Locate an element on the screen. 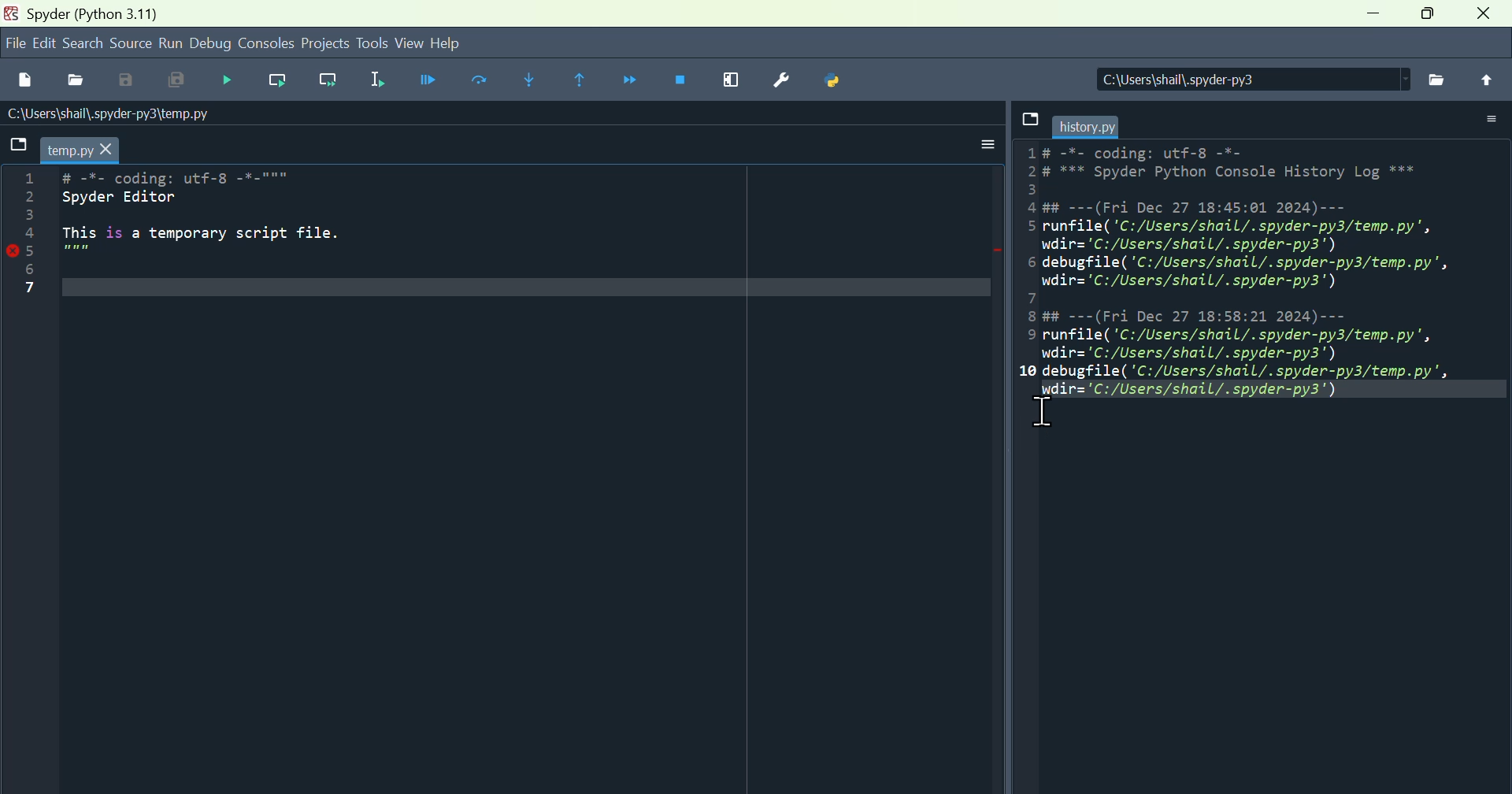  File is located at coordinates (16, 145).